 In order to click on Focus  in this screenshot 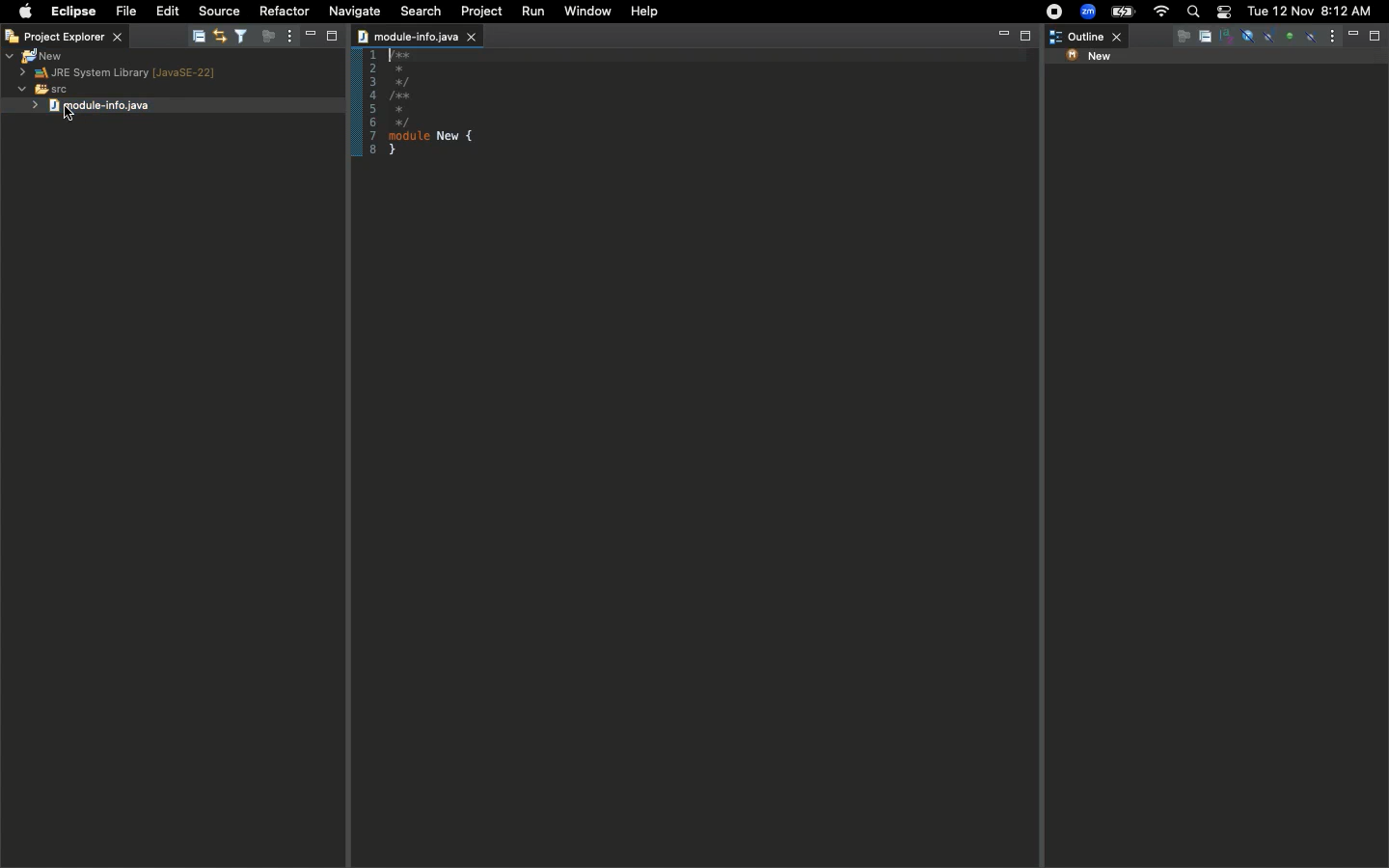, I will do `click(263, 37)`.